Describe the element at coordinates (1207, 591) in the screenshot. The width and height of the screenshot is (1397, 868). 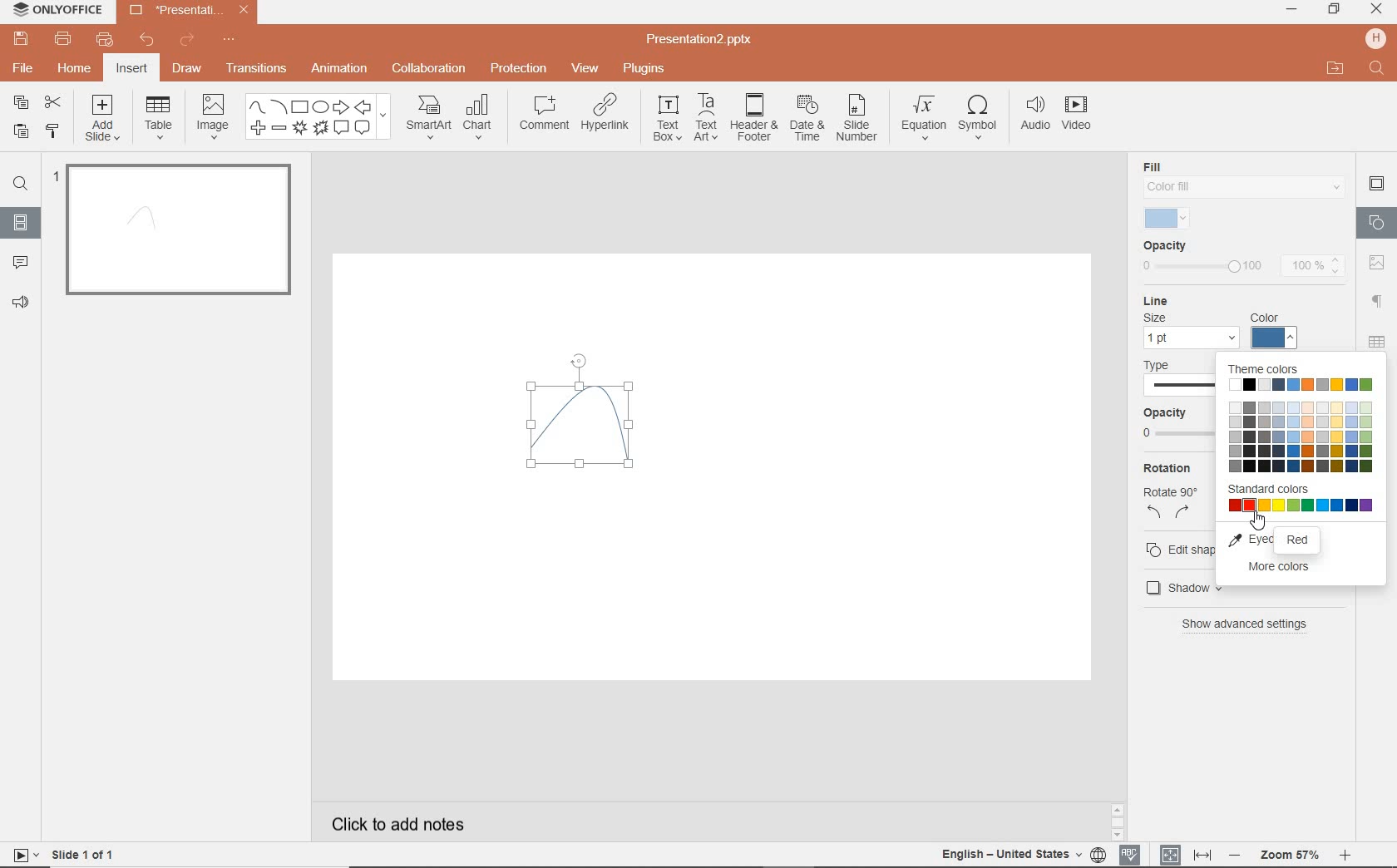
I see `shadow` at that location.